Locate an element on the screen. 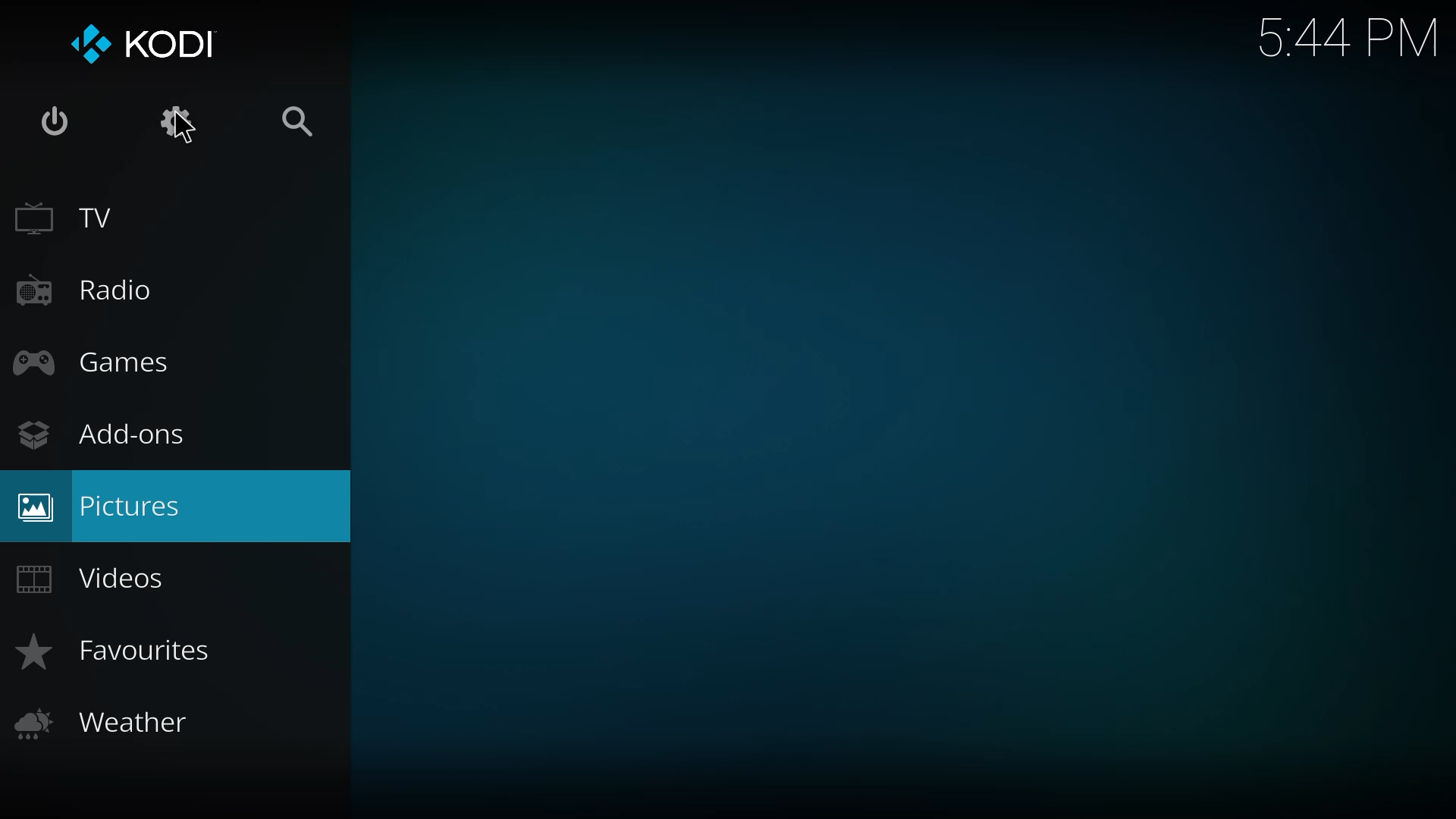  add-ons is located at coordinates (109, 436).